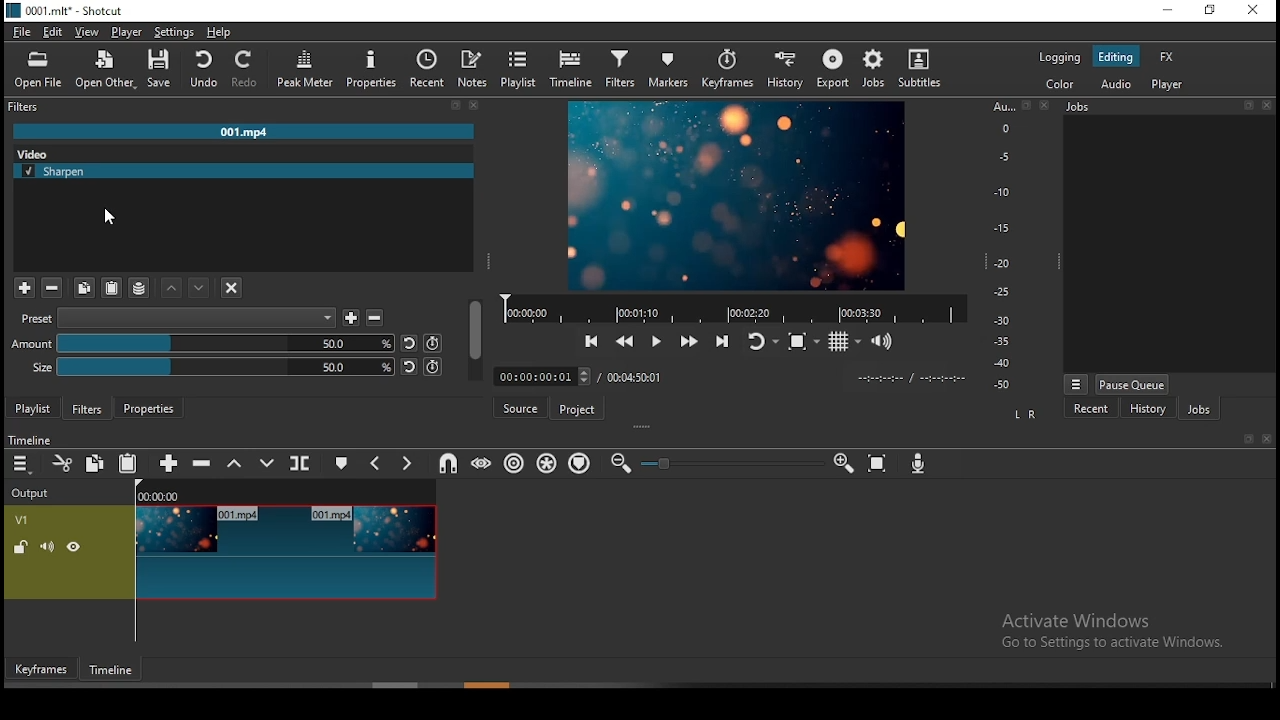 This screenshot has width=1280, height=720. I want to click on play quickly forward, so click(689, 336).